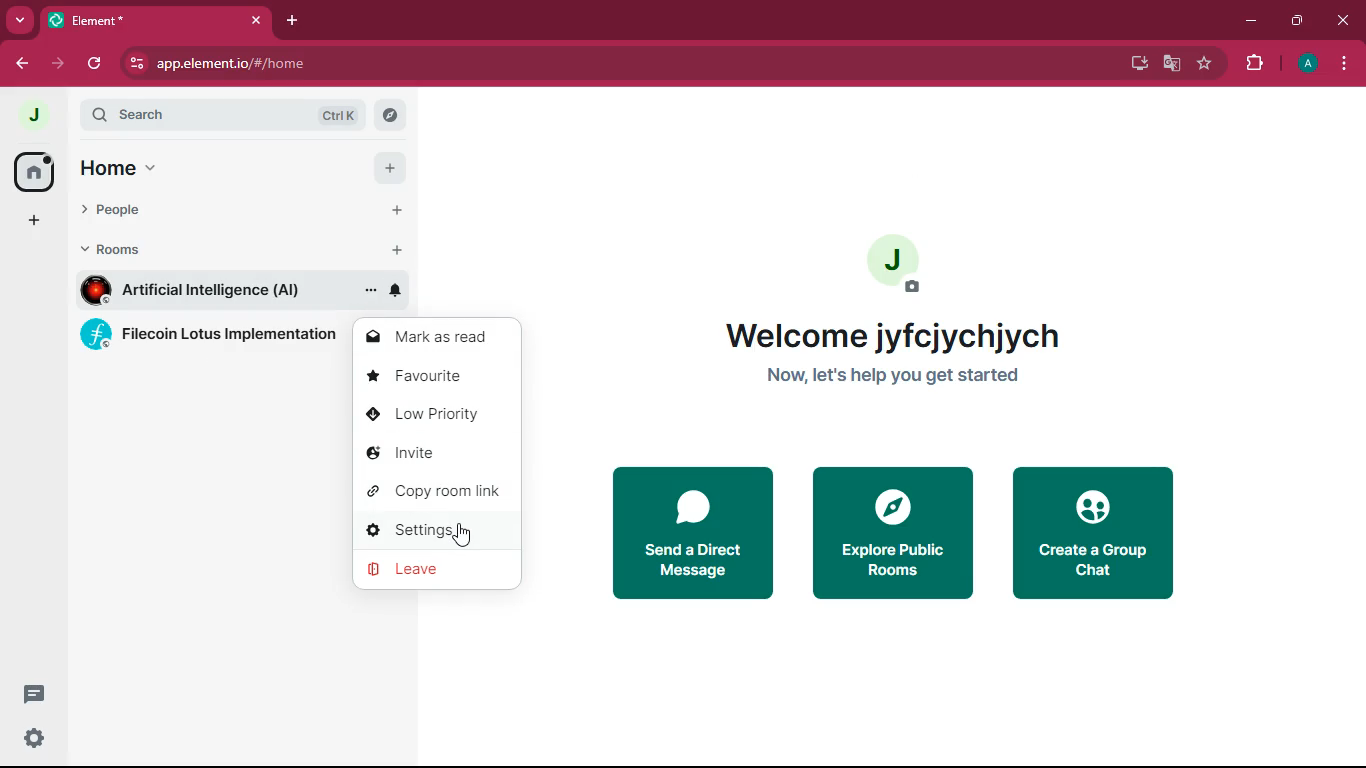  Describe the element at coordinates (122, 213) in the screenshot. I see `people` at that location.